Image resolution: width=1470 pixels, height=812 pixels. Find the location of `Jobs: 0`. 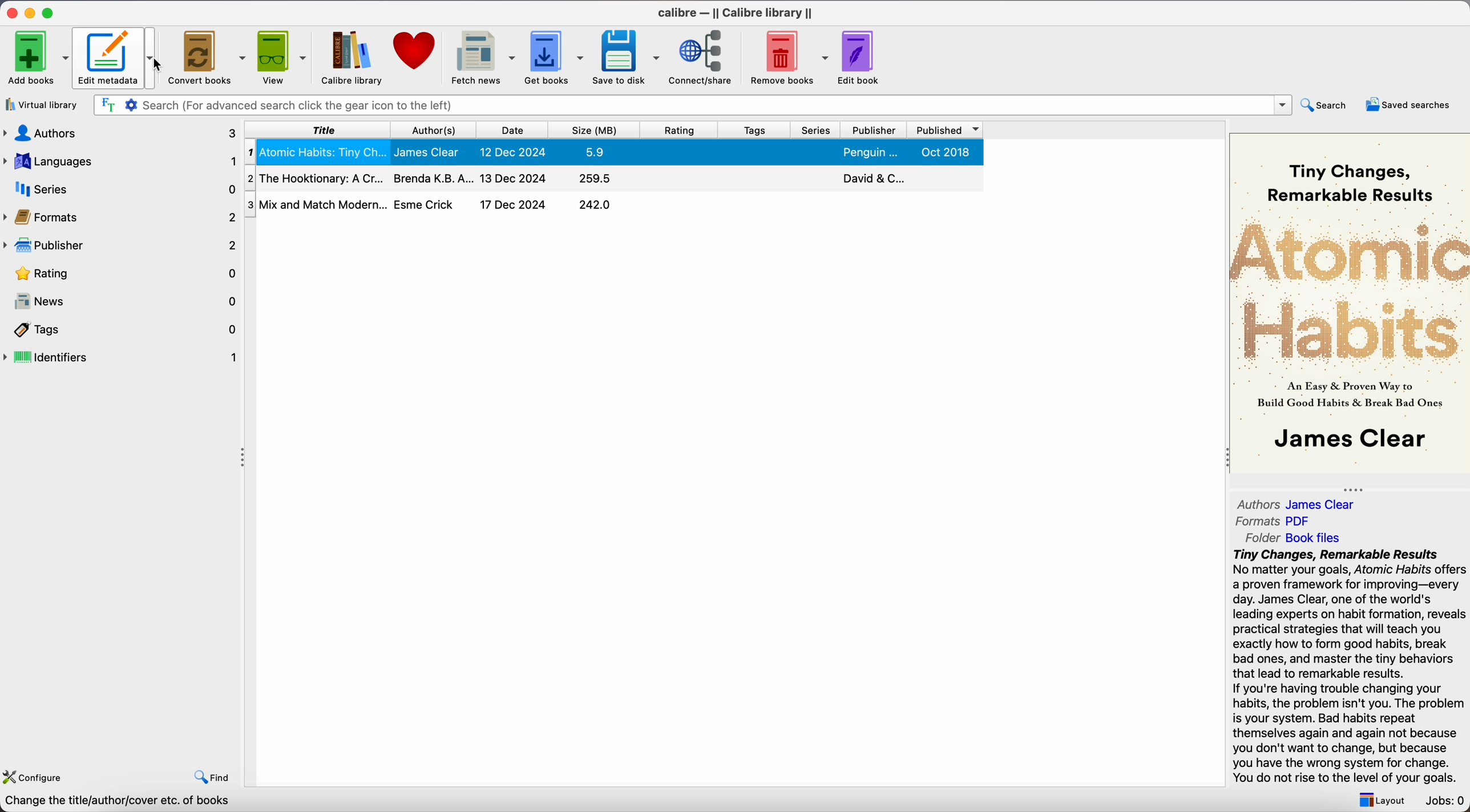

Jobs: 0 is located at coordinates (1445, 799).